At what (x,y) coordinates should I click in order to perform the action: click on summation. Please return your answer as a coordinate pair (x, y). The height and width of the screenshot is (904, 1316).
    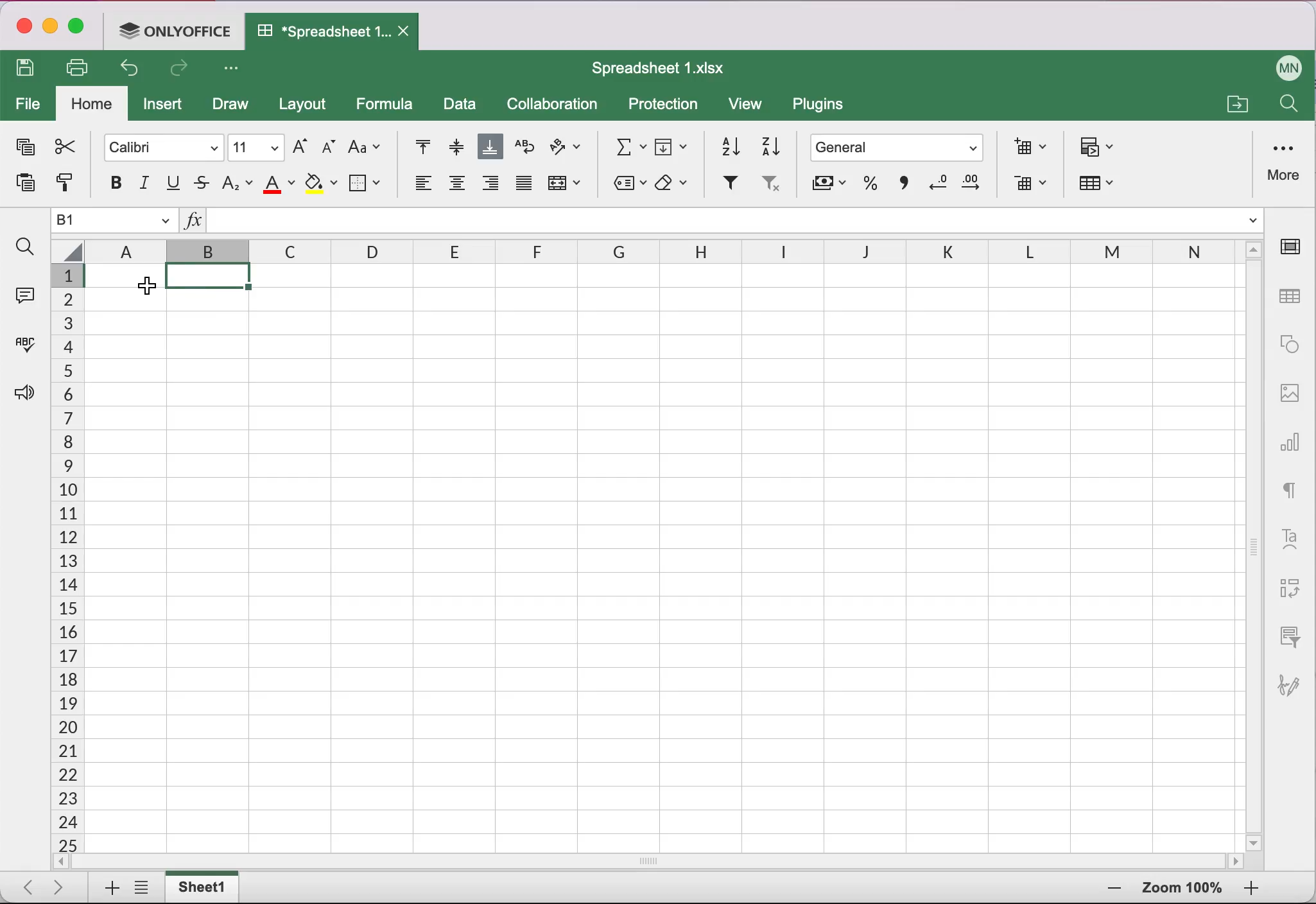
    Looking at the image, I should click on (625, 145).